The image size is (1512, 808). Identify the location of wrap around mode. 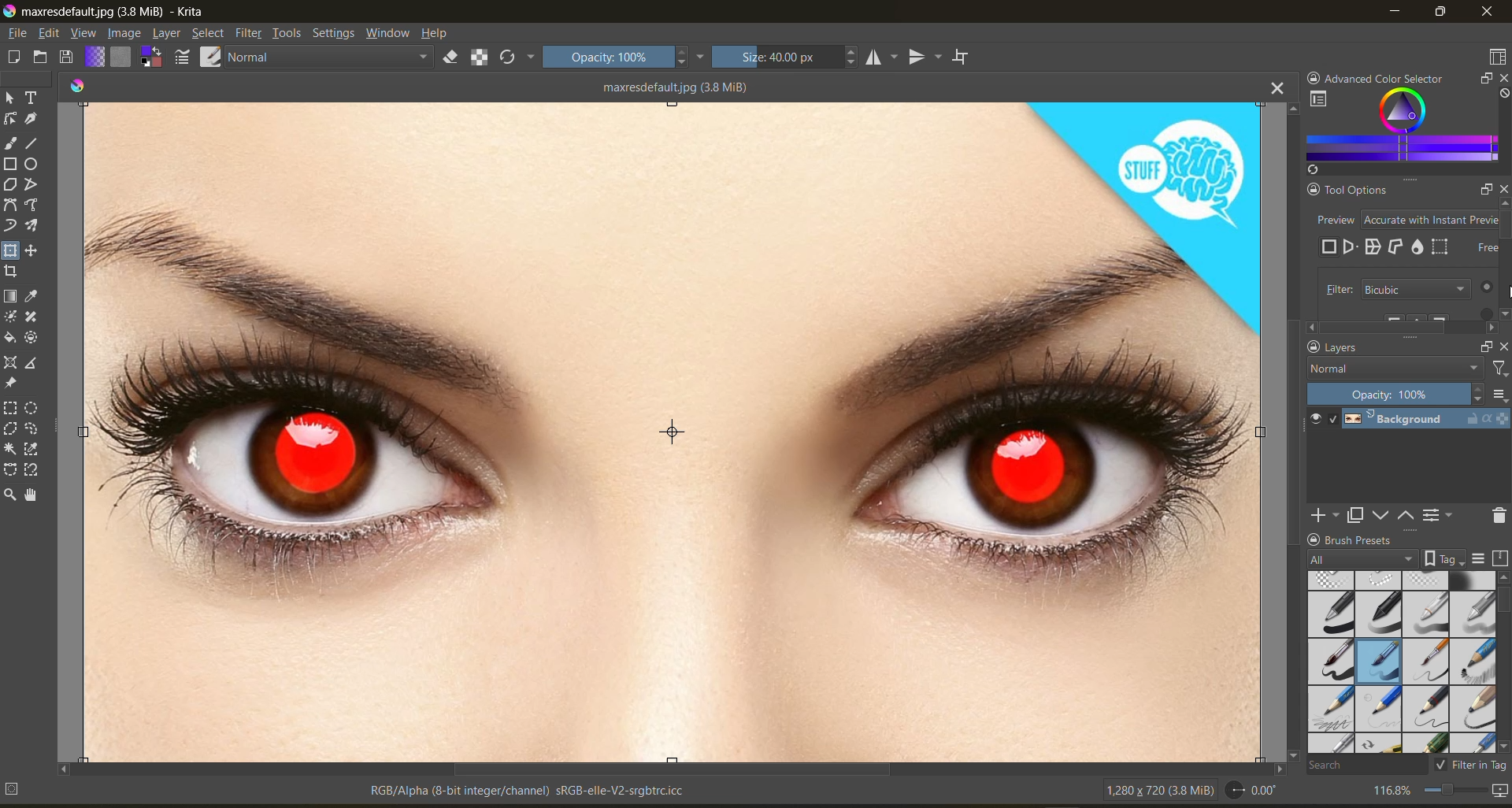
(966, 57).